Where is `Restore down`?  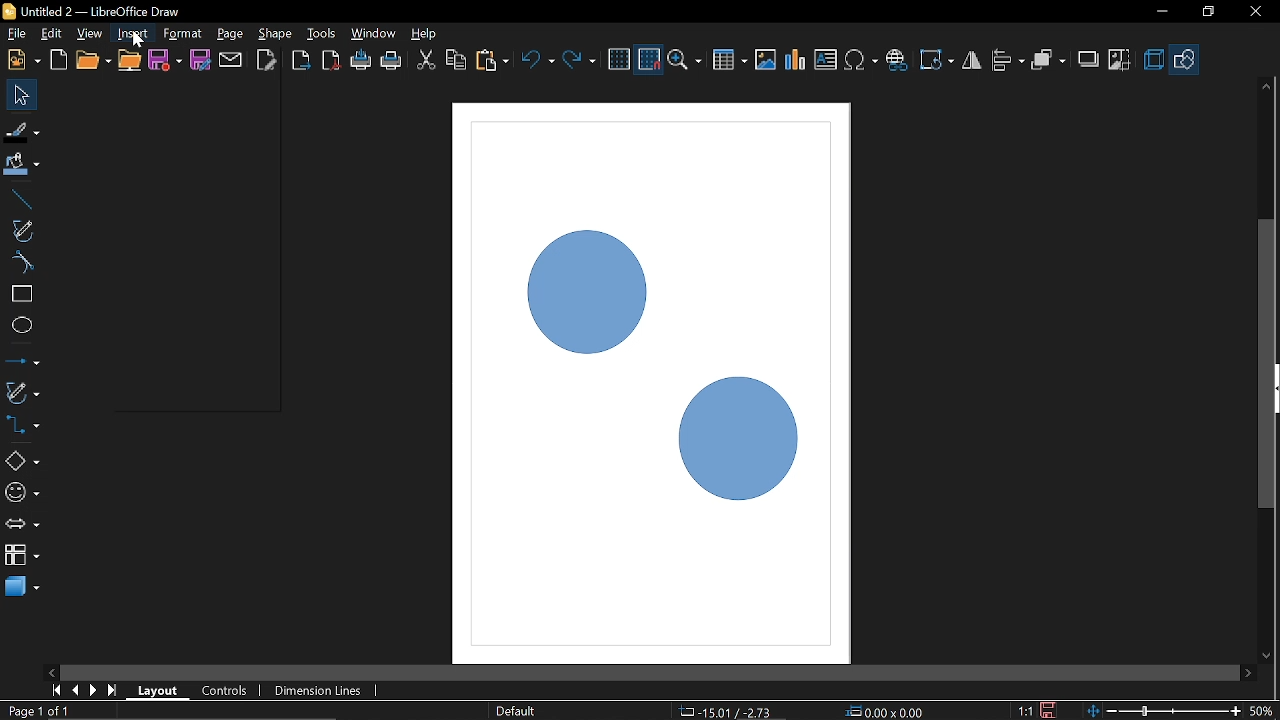
Restore down is located at coordinates (1207, 11).